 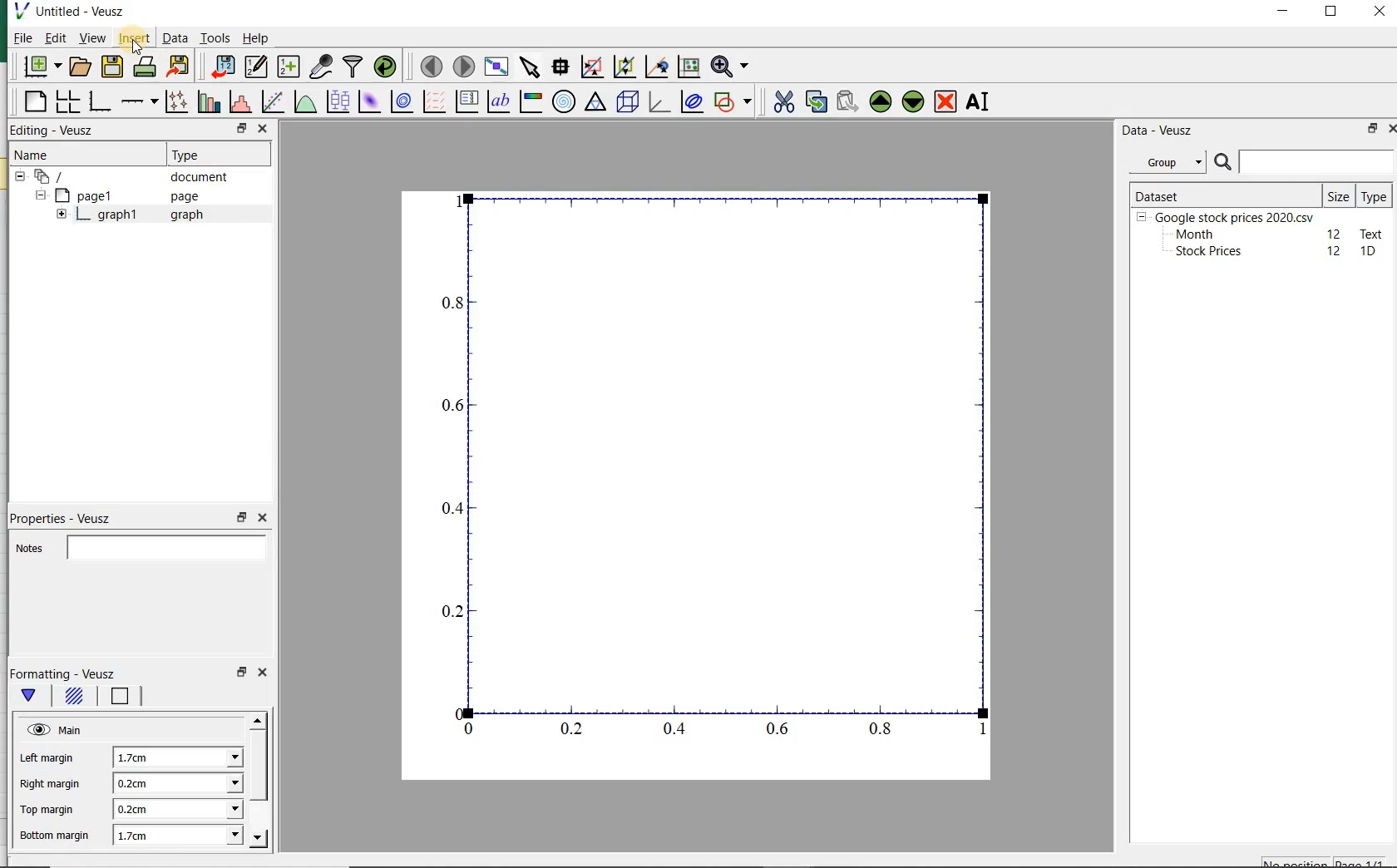 I want to click on Stock prices, so click(x=1201, y=252).